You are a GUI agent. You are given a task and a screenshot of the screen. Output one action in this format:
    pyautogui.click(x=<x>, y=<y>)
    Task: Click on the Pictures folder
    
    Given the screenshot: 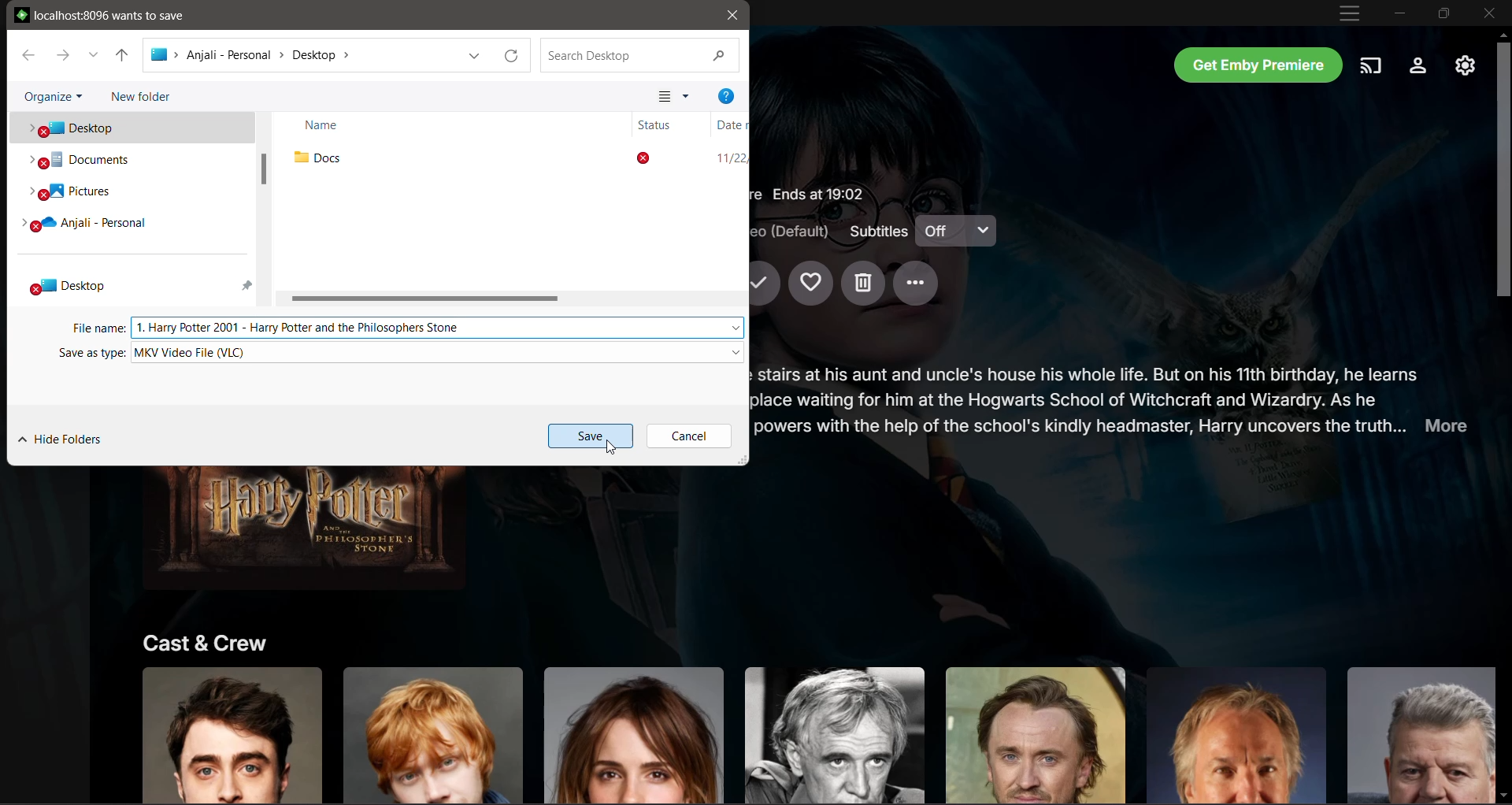 What is the action you would take?
    pyautogui.click(x=130, y=191)
    